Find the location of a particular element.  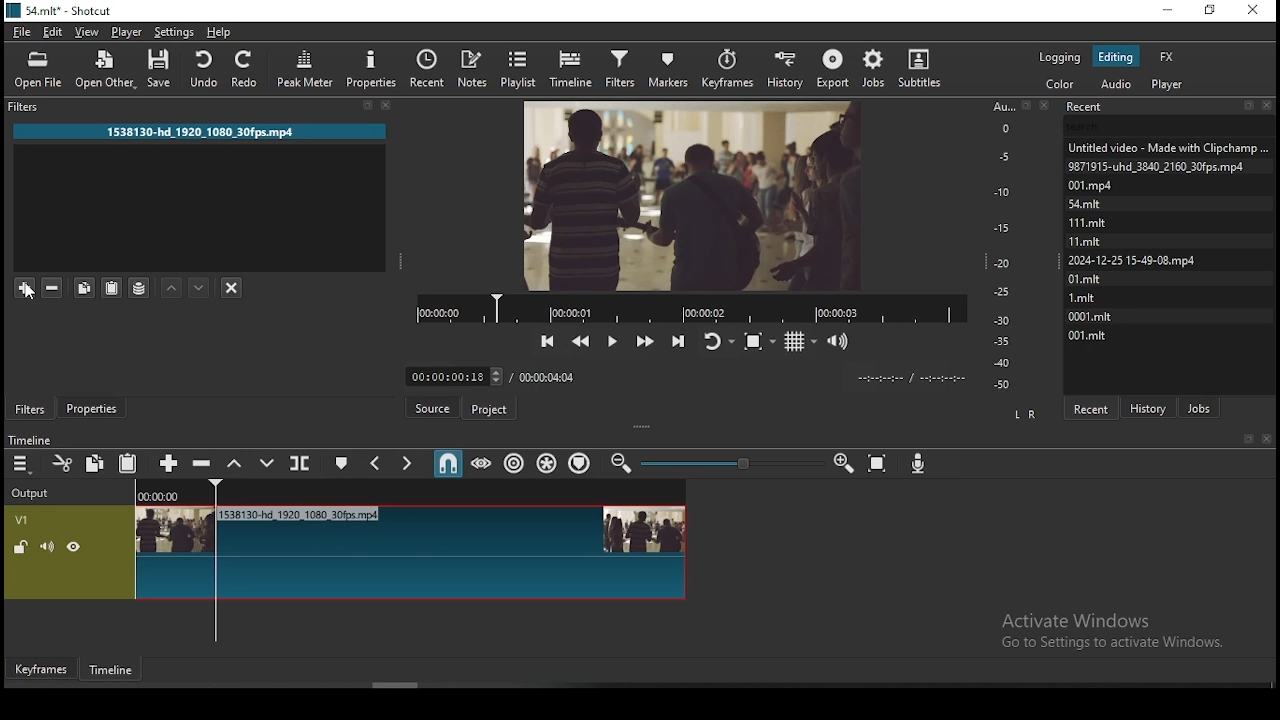

video track is located at coordinates (344, 550).